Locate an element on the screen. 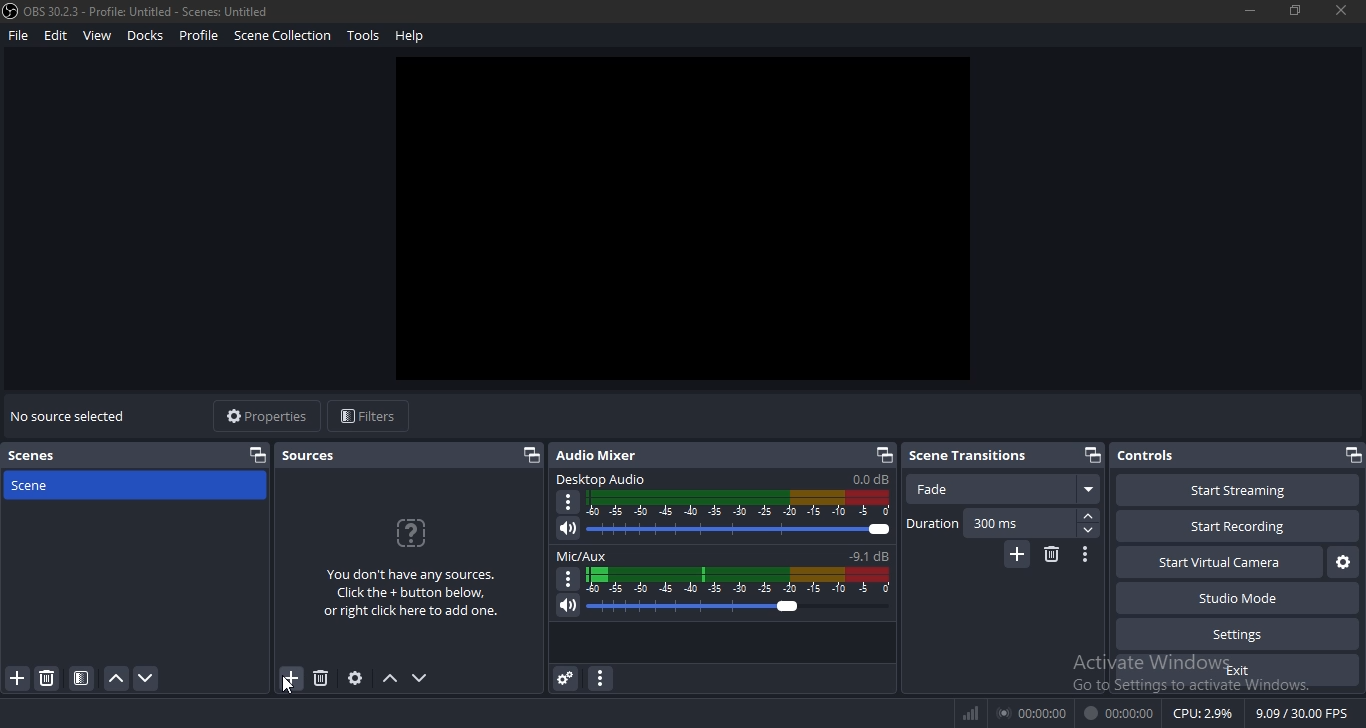  view is located at coordinates (99, 35).